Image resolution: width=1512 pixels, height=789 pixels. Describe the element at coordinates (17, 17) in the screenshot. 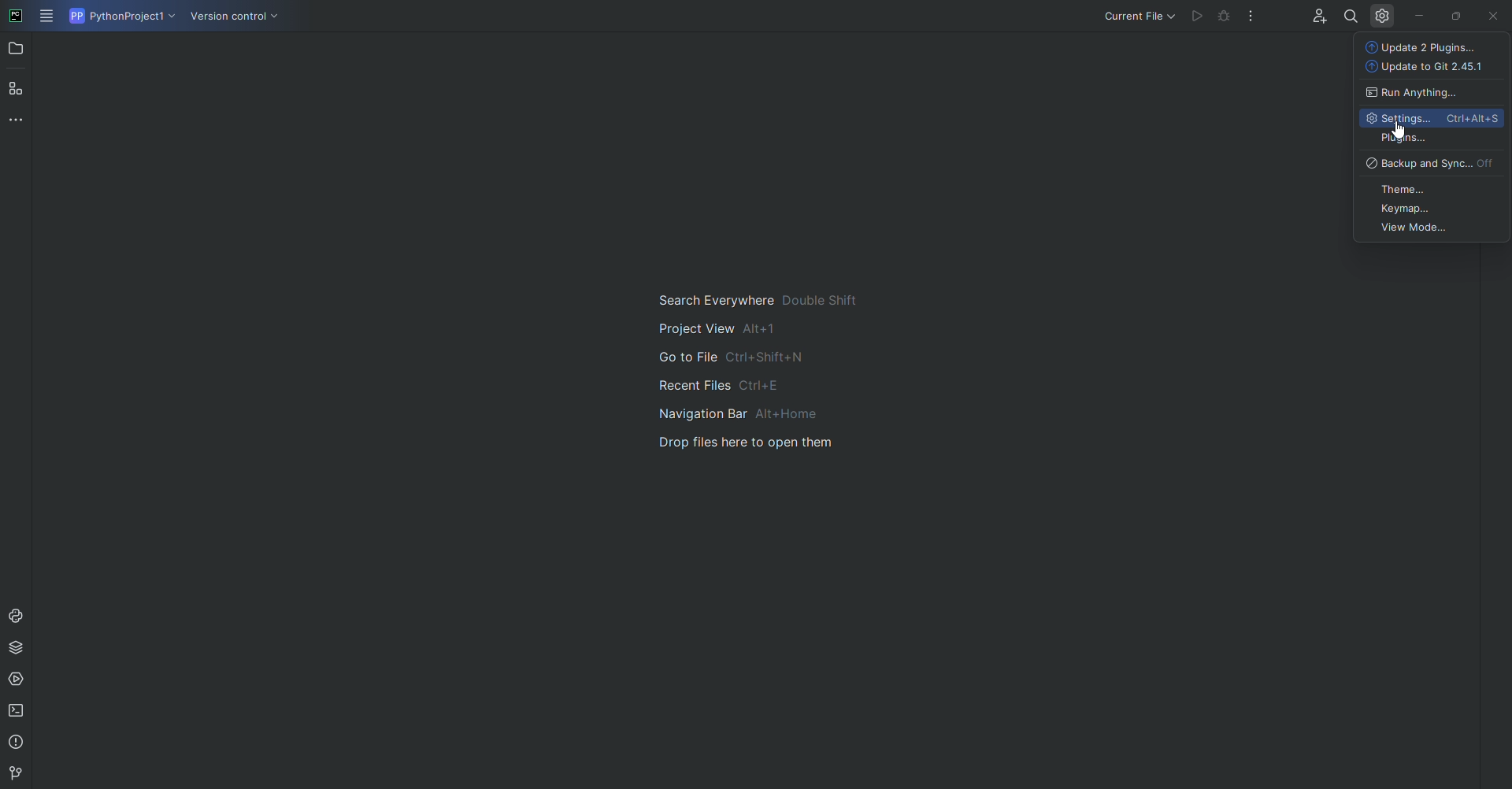

I see `PyCharm` at that location.